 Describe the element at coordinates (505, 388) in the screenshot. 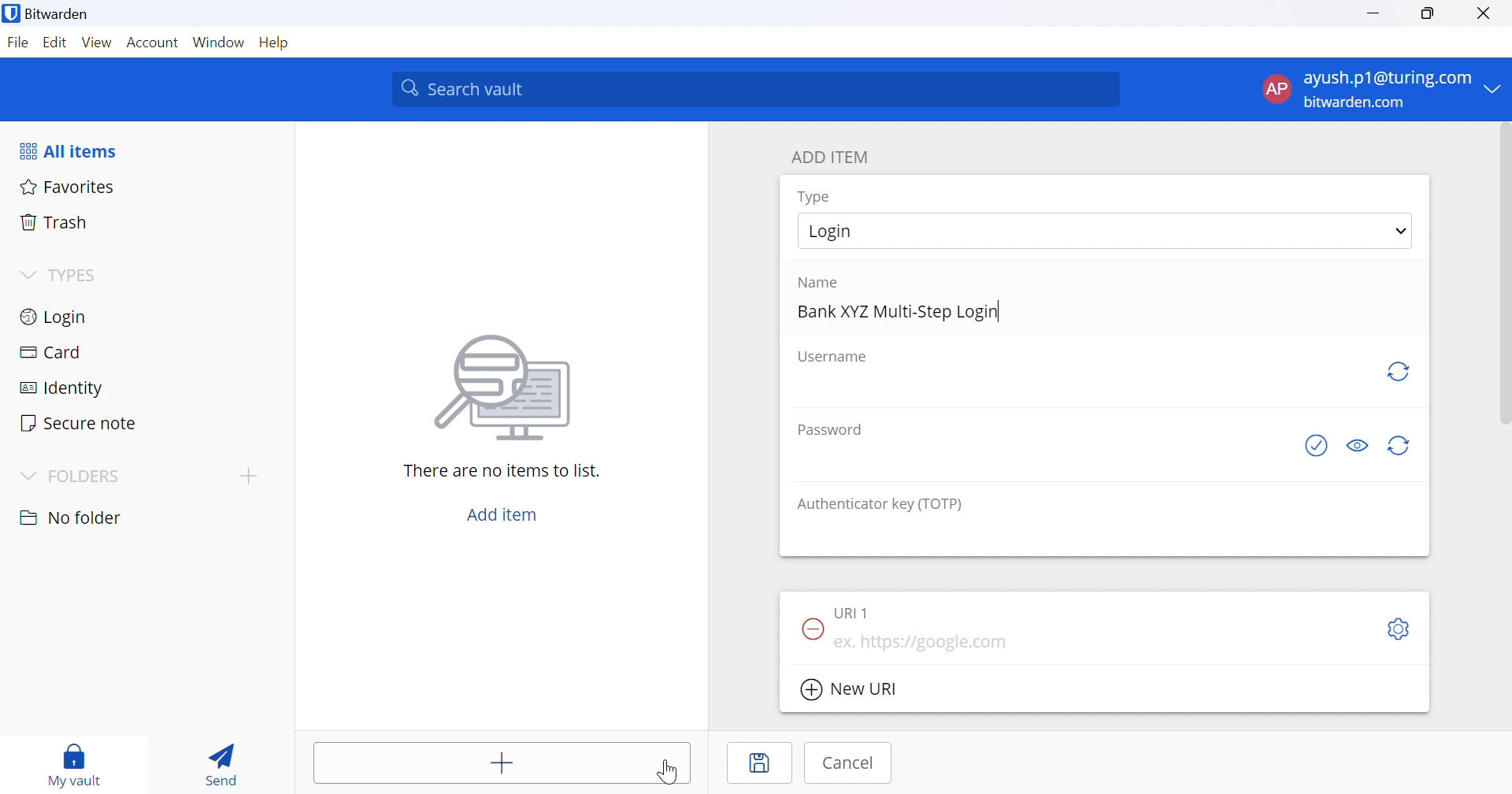

I see `Image` at that location.